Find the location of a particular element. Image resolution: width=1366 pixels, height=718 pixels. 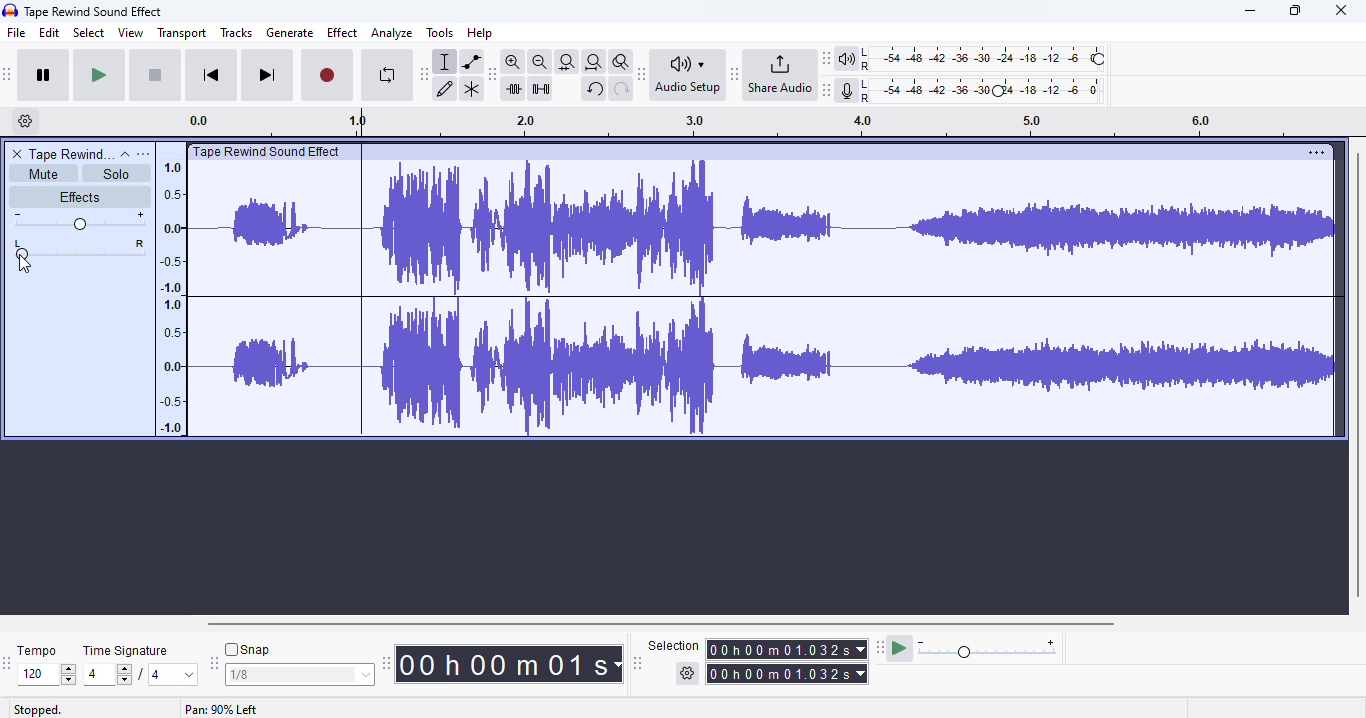

play is located at coordinates (99, 76).